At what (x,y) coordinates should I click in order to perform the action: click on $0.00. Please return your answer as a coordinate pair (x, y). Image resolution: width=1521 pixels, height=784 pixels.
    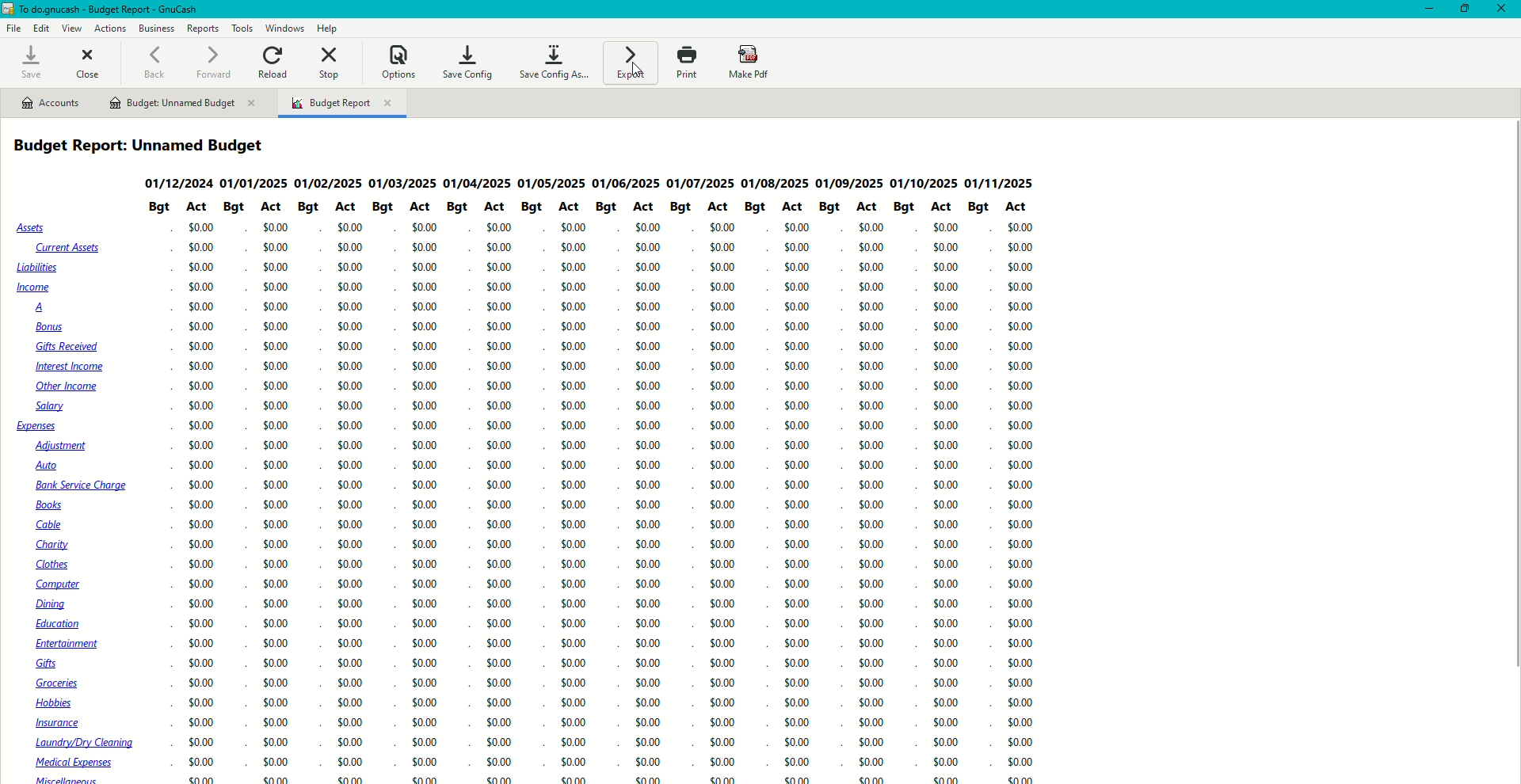
    Looking at the image, I should click on (203, 602).